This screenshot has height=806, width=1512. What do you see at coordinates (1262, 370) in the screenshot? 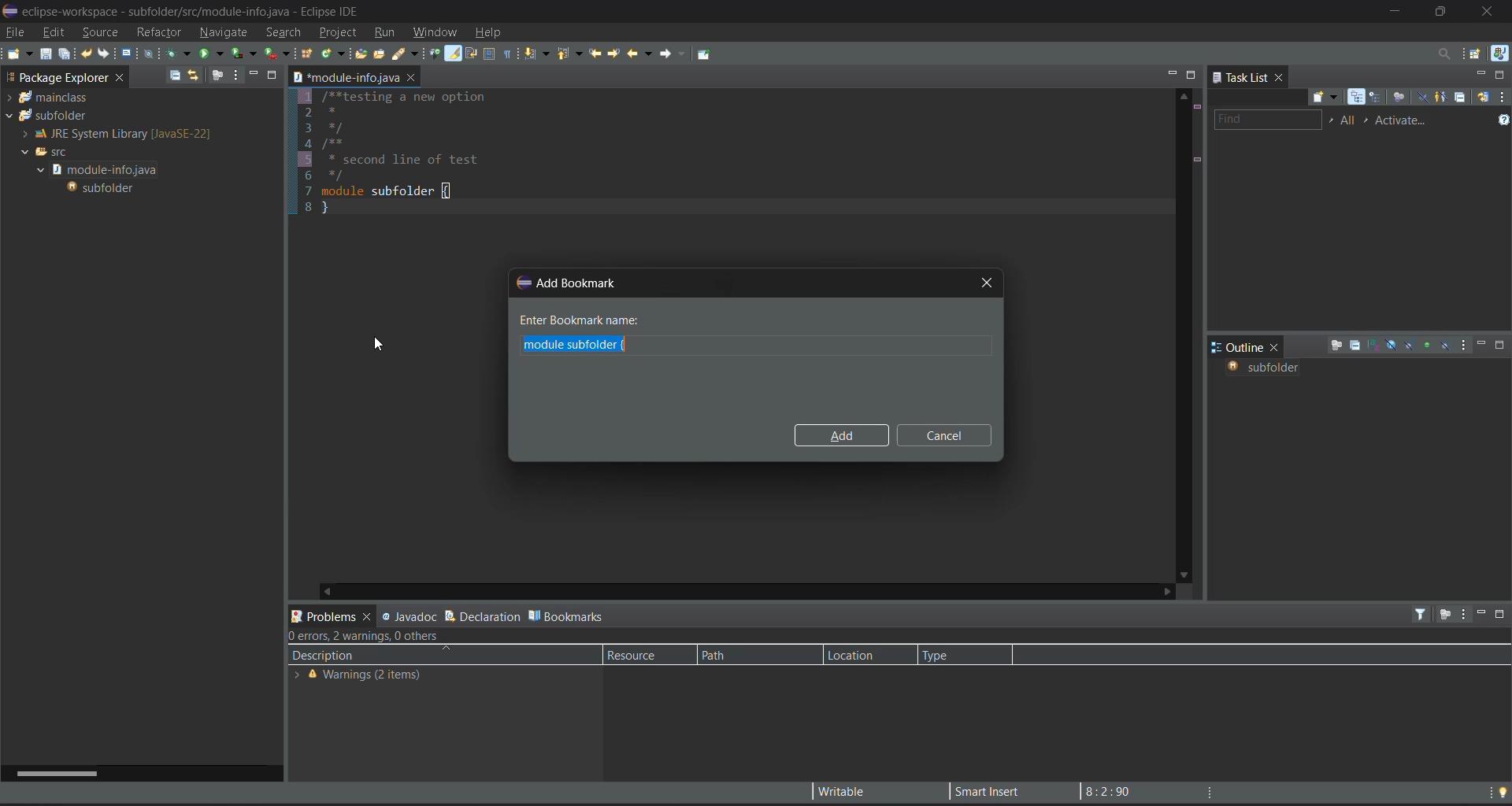
I see `subfolder` at bounding box center [1262, 370].